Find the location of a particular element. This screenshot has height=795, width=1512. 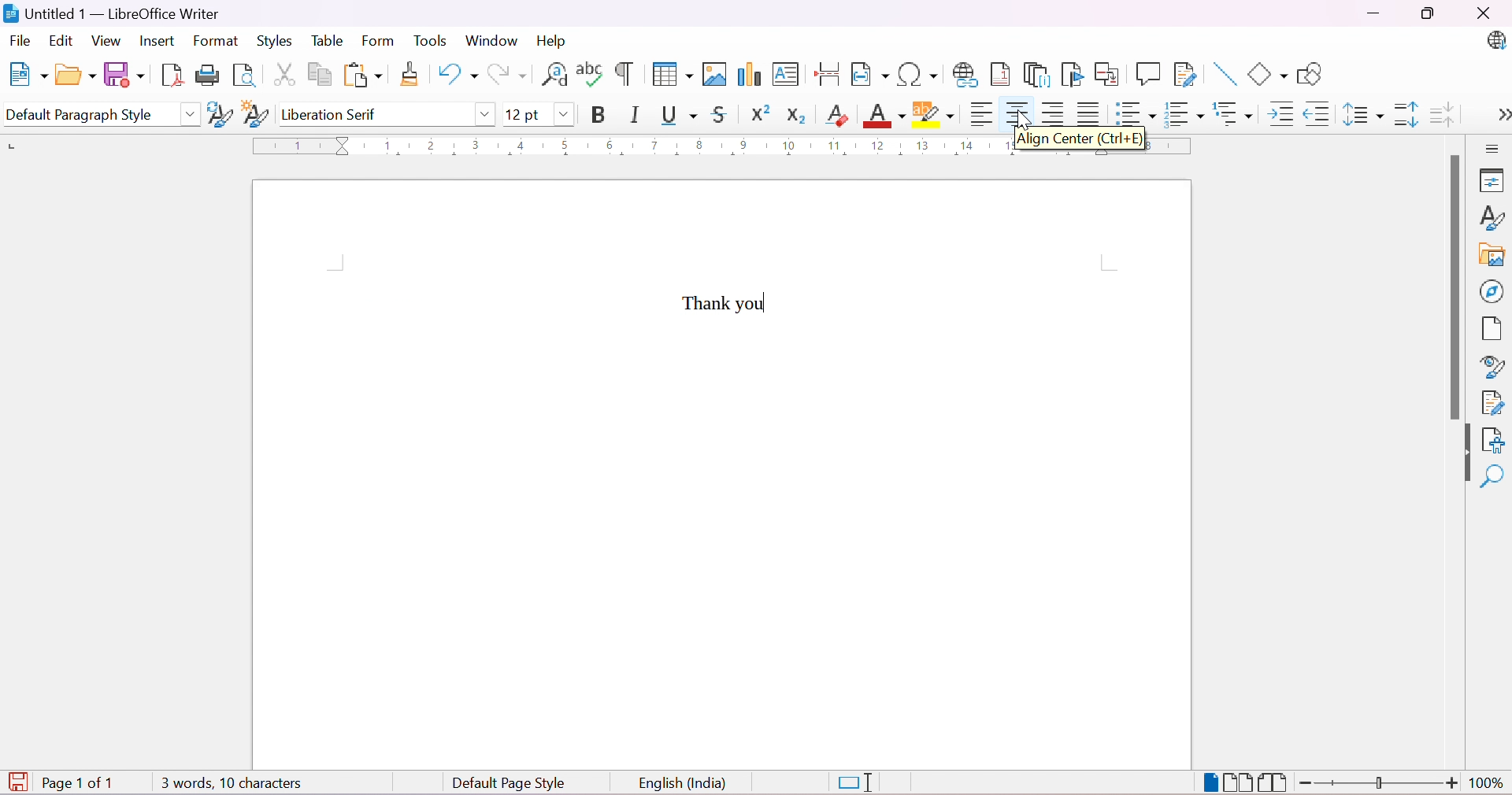

Toggle Formatting Marks is located at coordinates (624, 74).